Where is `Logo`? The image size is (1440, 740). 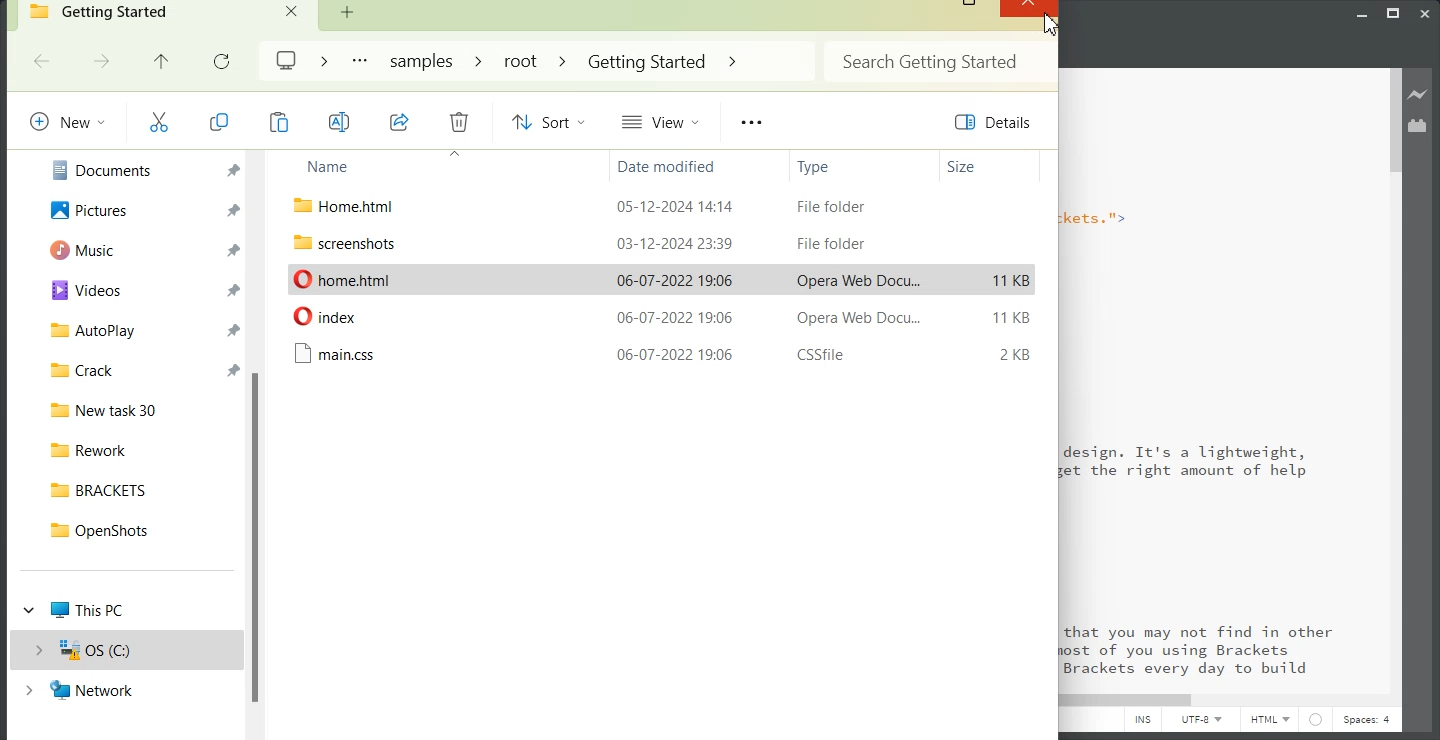
Logo is located at coordinates (288, 60).